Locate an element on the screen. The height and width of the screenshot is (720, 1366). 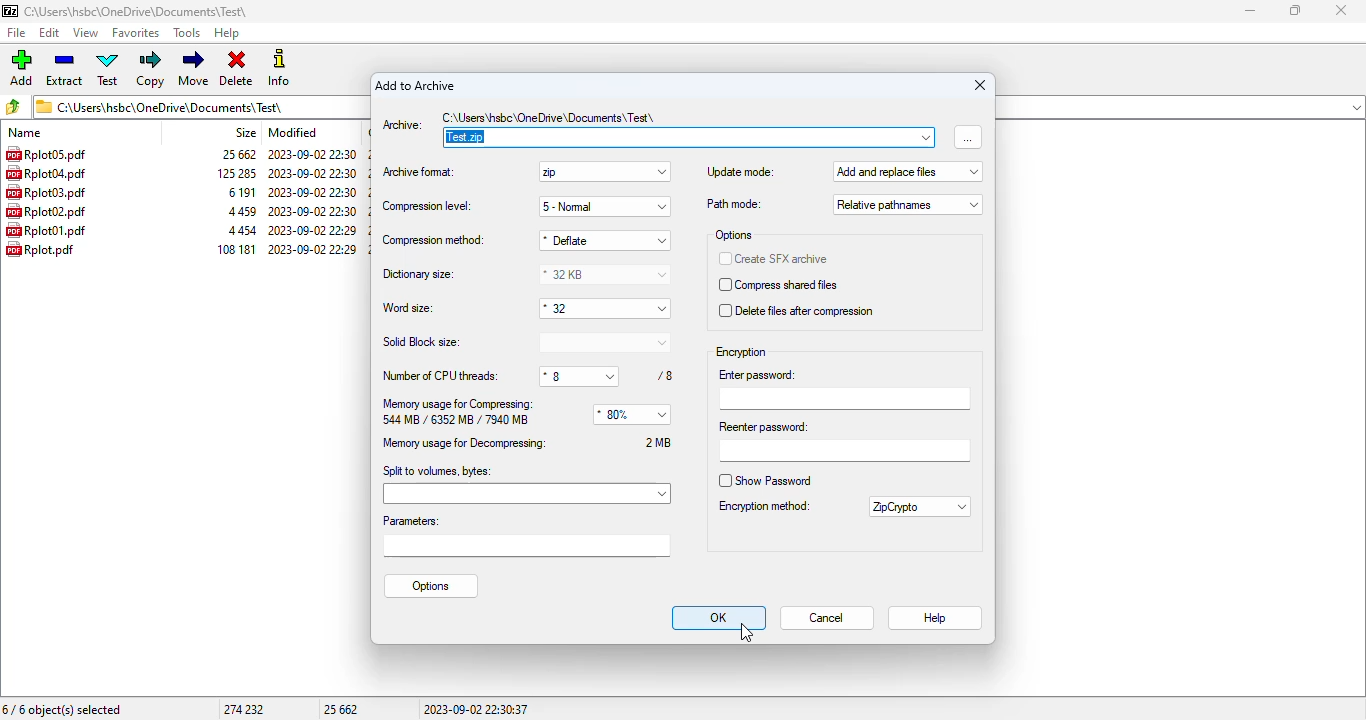
Hotkey (CTRL+A) on selected file is located at coordinates (48, 154).